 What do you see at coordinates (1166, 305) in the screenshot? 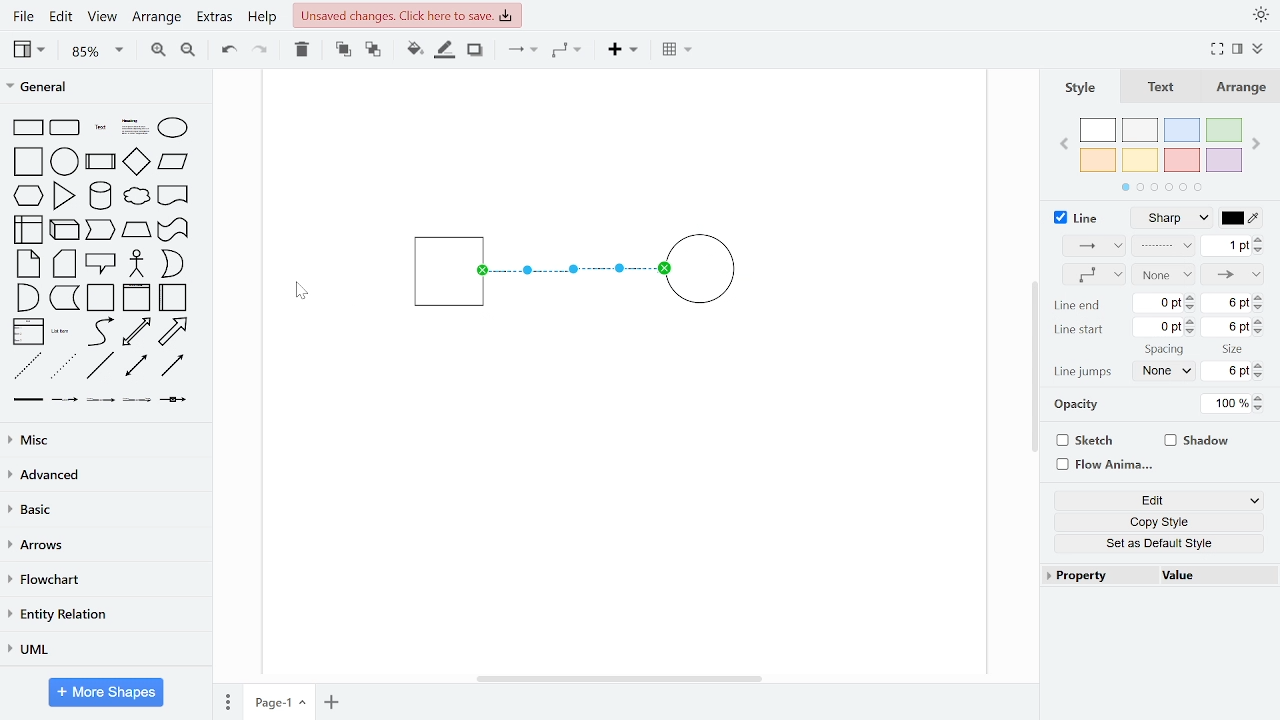
I see `change  line end spacing` at bounding box center [1166, 305].